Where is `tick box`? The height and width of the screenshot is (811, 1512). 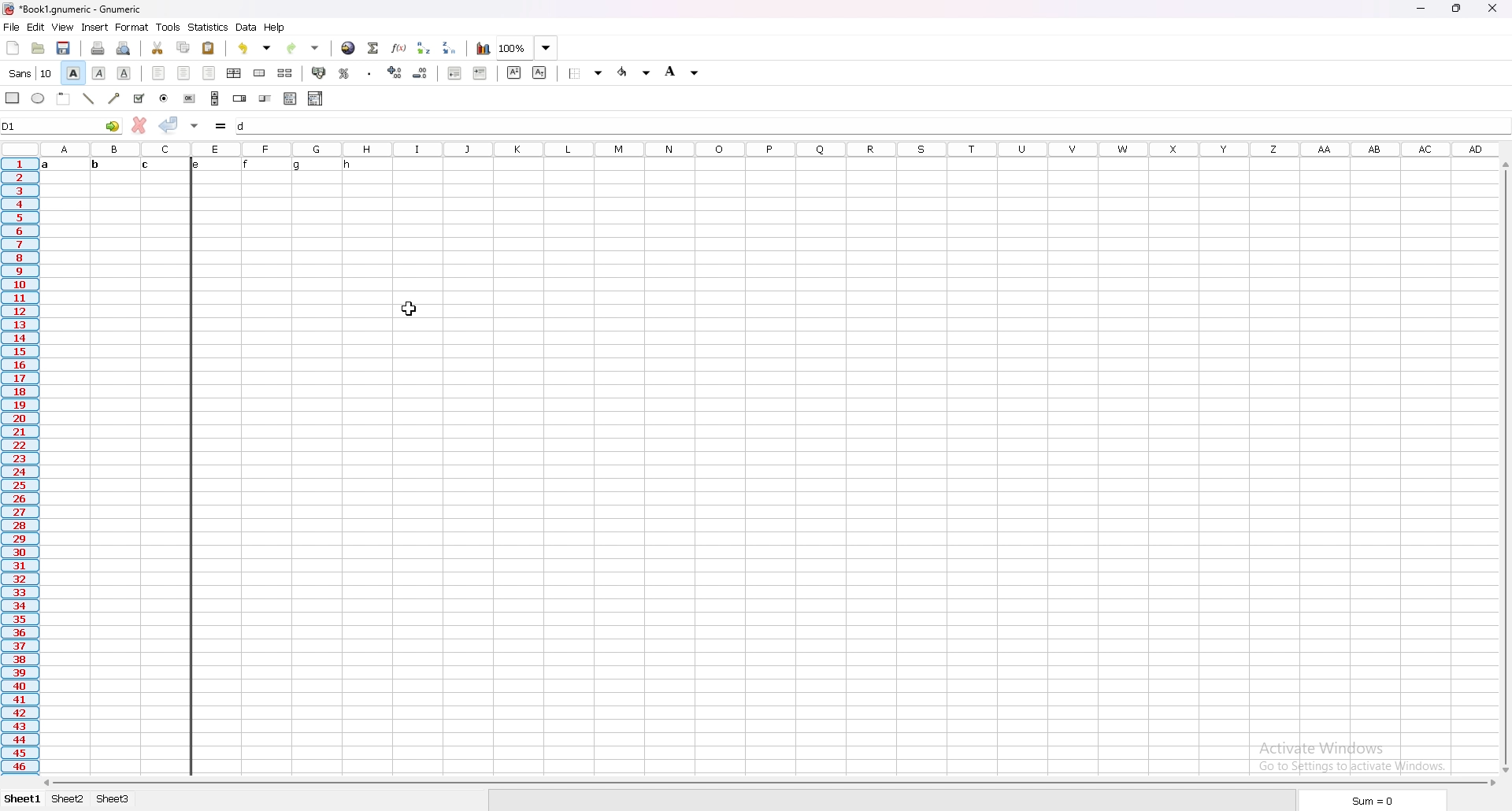 tick box is located at coordinates (139, 99).